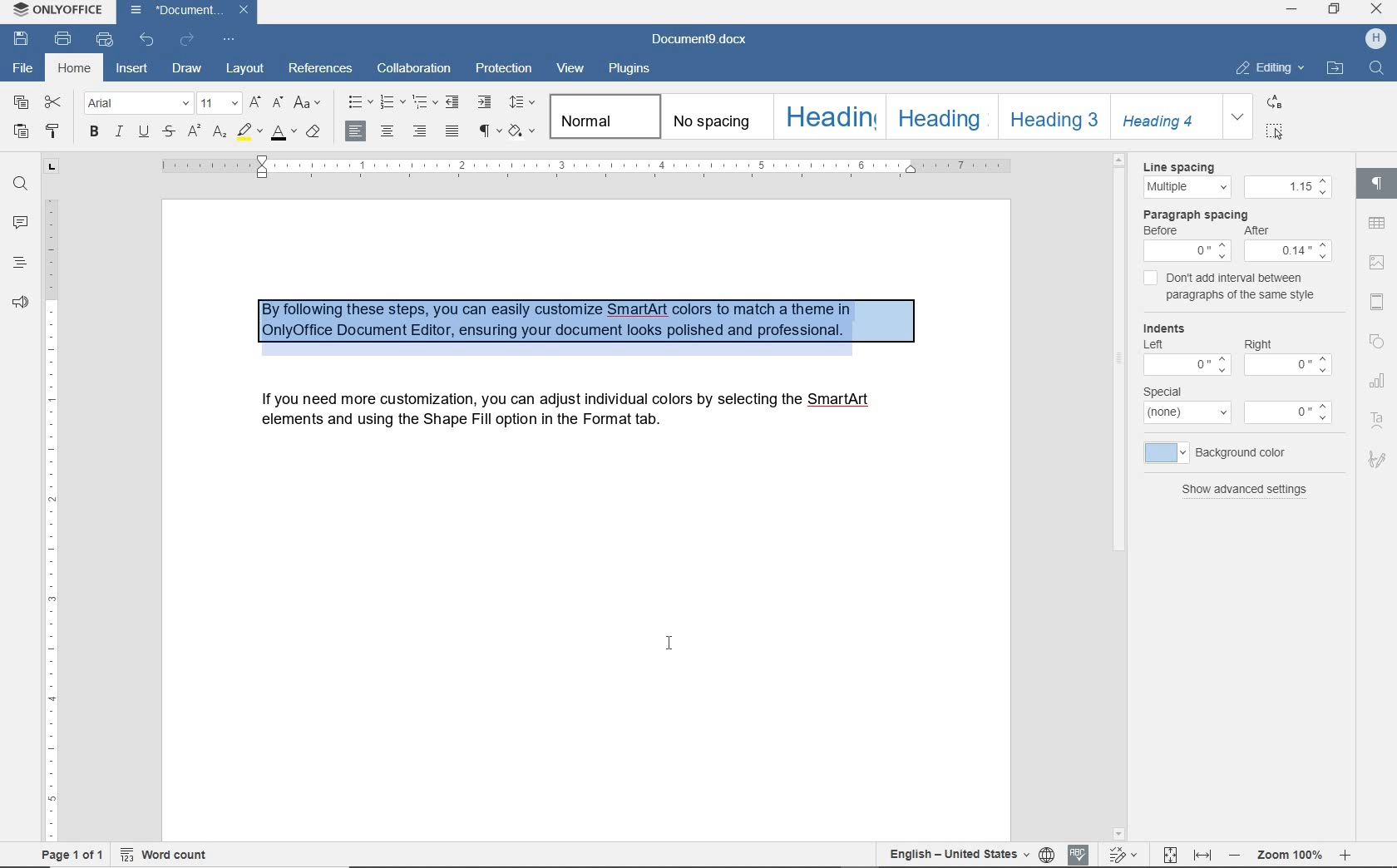 This screenshot has height=868, width=1397. What do you see at coordinates (93, 131) in the screenshot?
I see `bold` at bounding box center [93, 131].